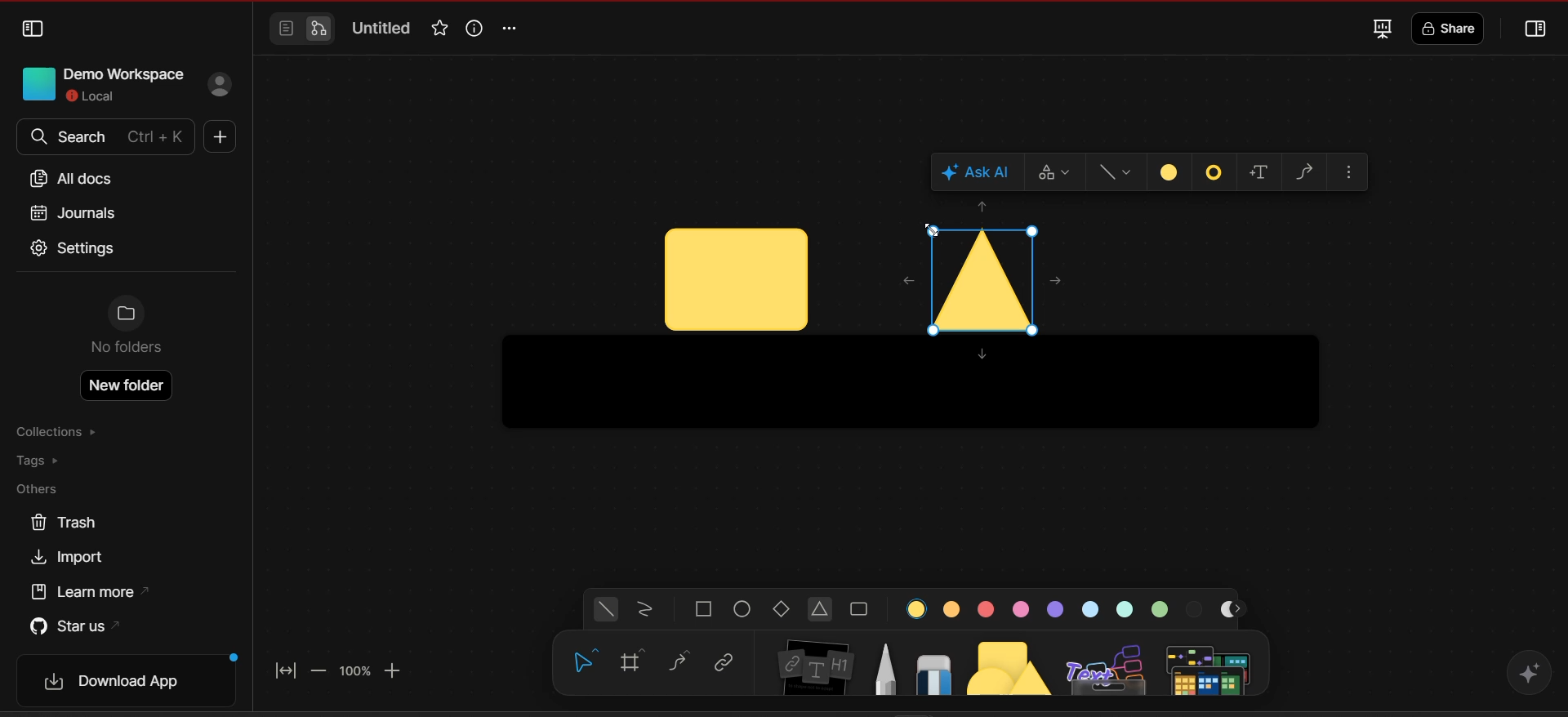 The width and height of the screenshot is (1568, 717). What do you see at coordinates (1352, 172) in the screenshot?
I see `more` at bounding box center [1352, 172].